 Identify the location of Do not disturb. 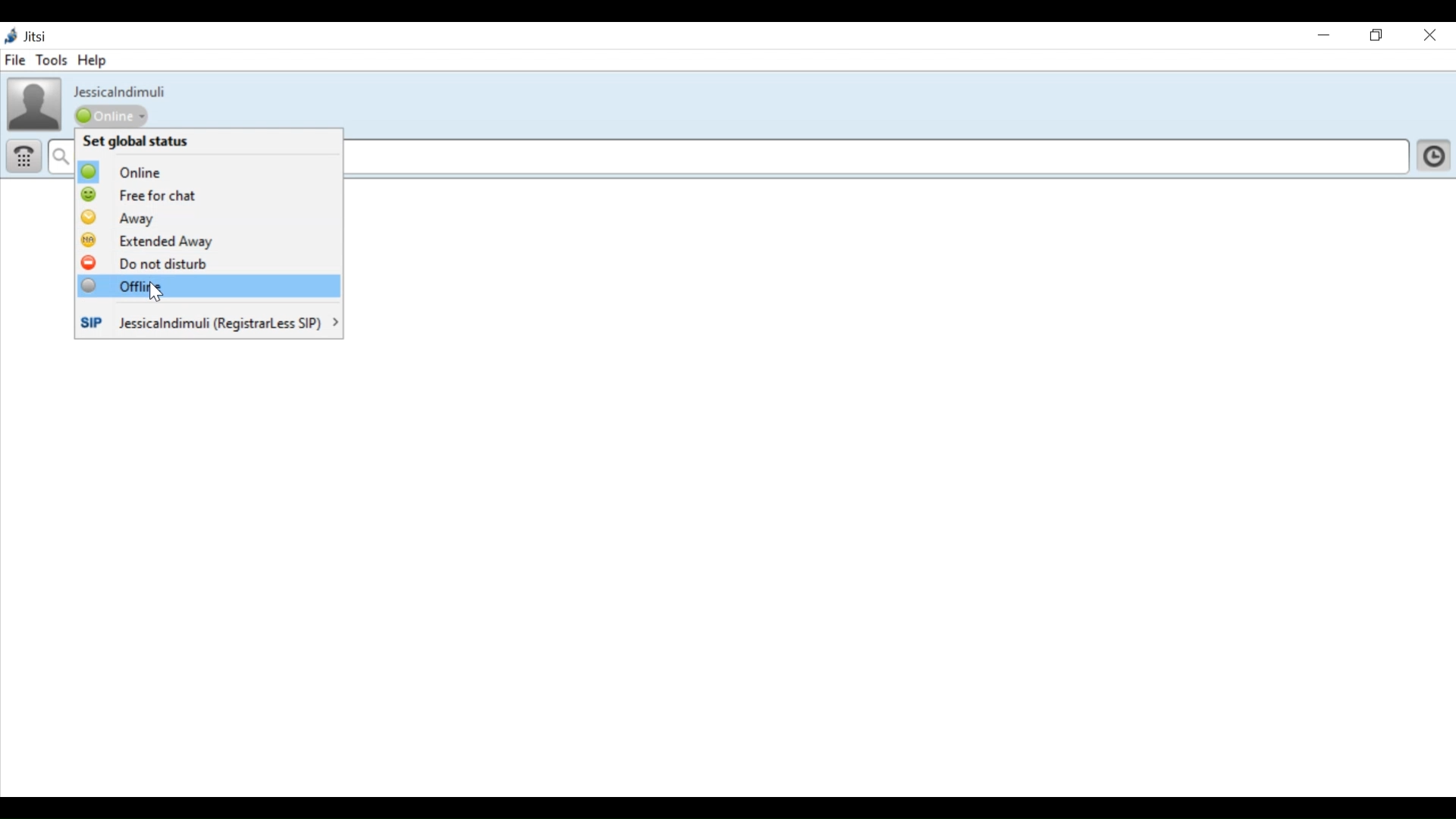
(208, 263).